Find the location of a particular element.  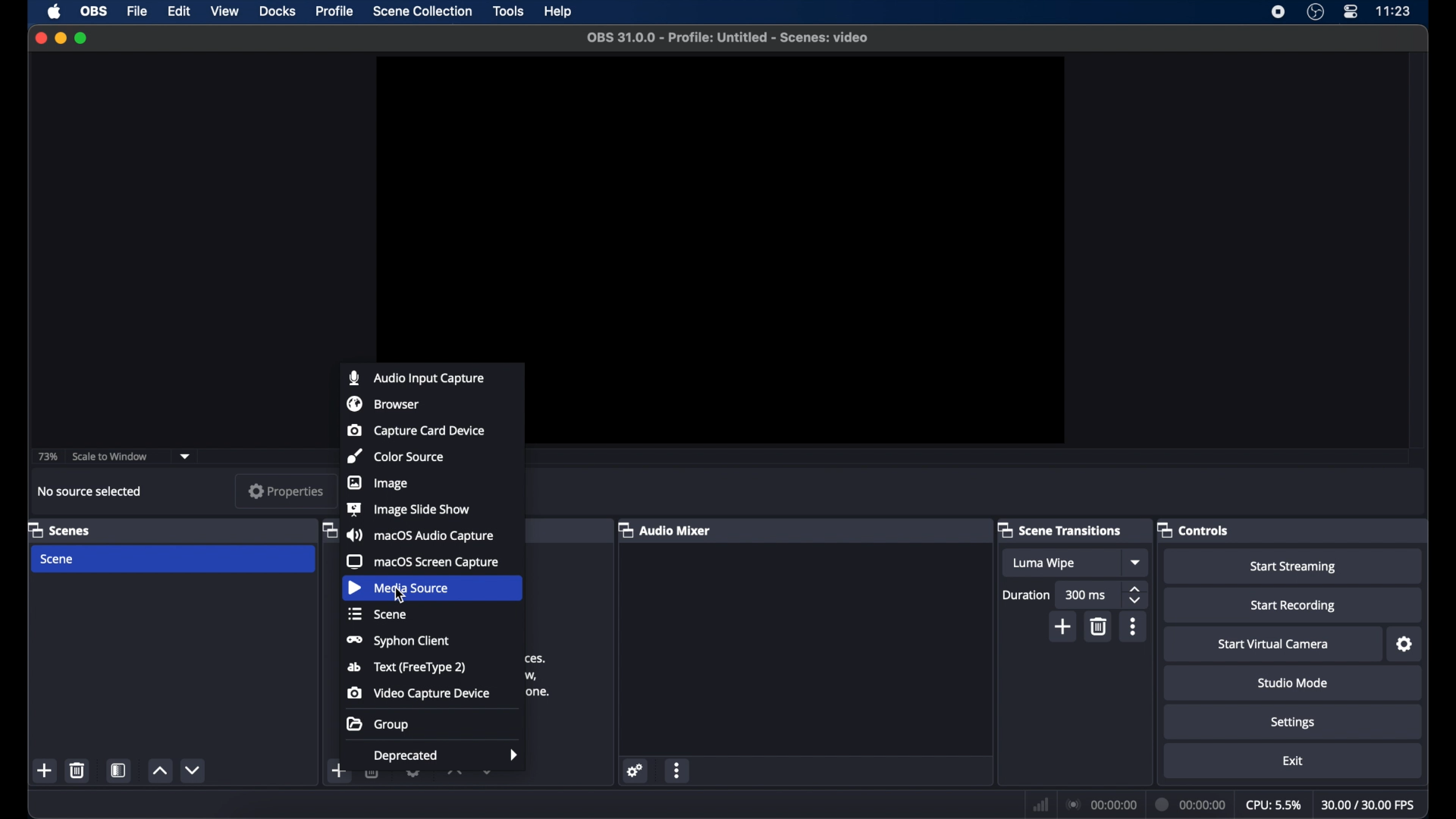

duration is located at coordinates (1025, 596).